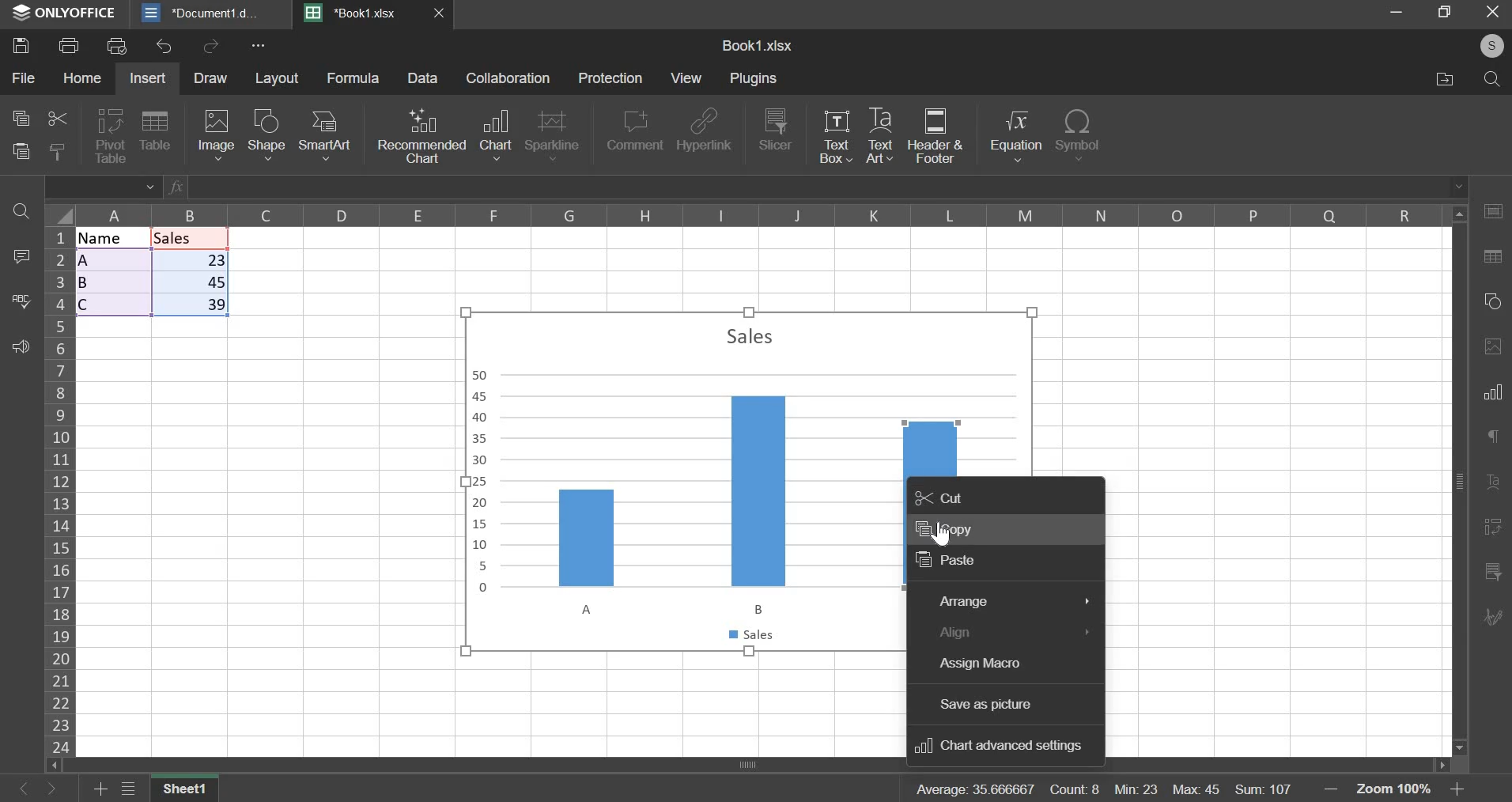 The height and width of the screenshot is (802, 1512). What do you see at coordinates (686, 78) in the screenshot?
I see `view` at bounding box center [686, 78].